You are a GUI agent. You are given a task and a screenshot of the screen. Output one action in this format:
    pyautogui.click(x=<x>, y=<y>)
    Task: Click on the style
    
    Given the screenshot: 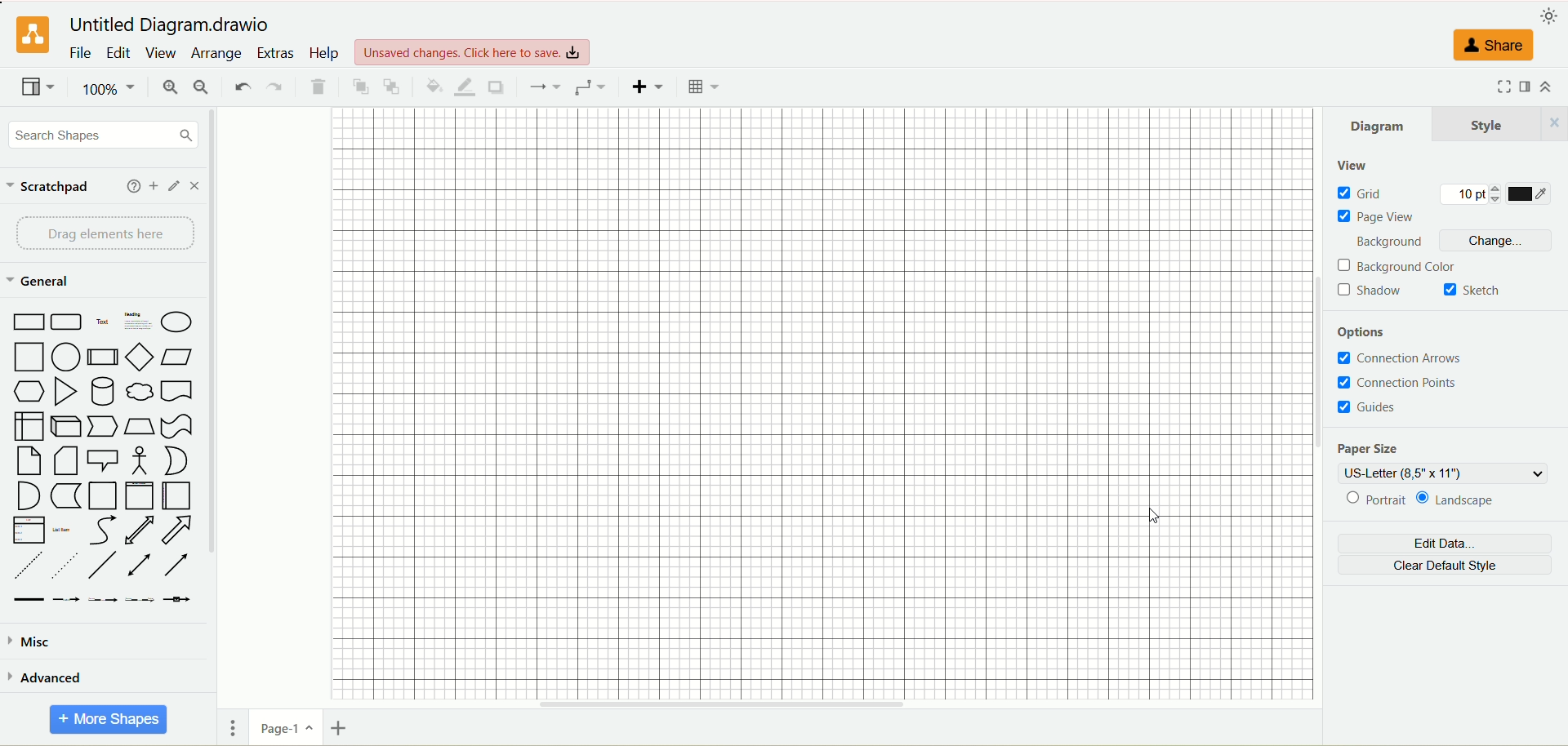 What is the action you would take?
    pyautogui.click(x=1500, y=124)
    